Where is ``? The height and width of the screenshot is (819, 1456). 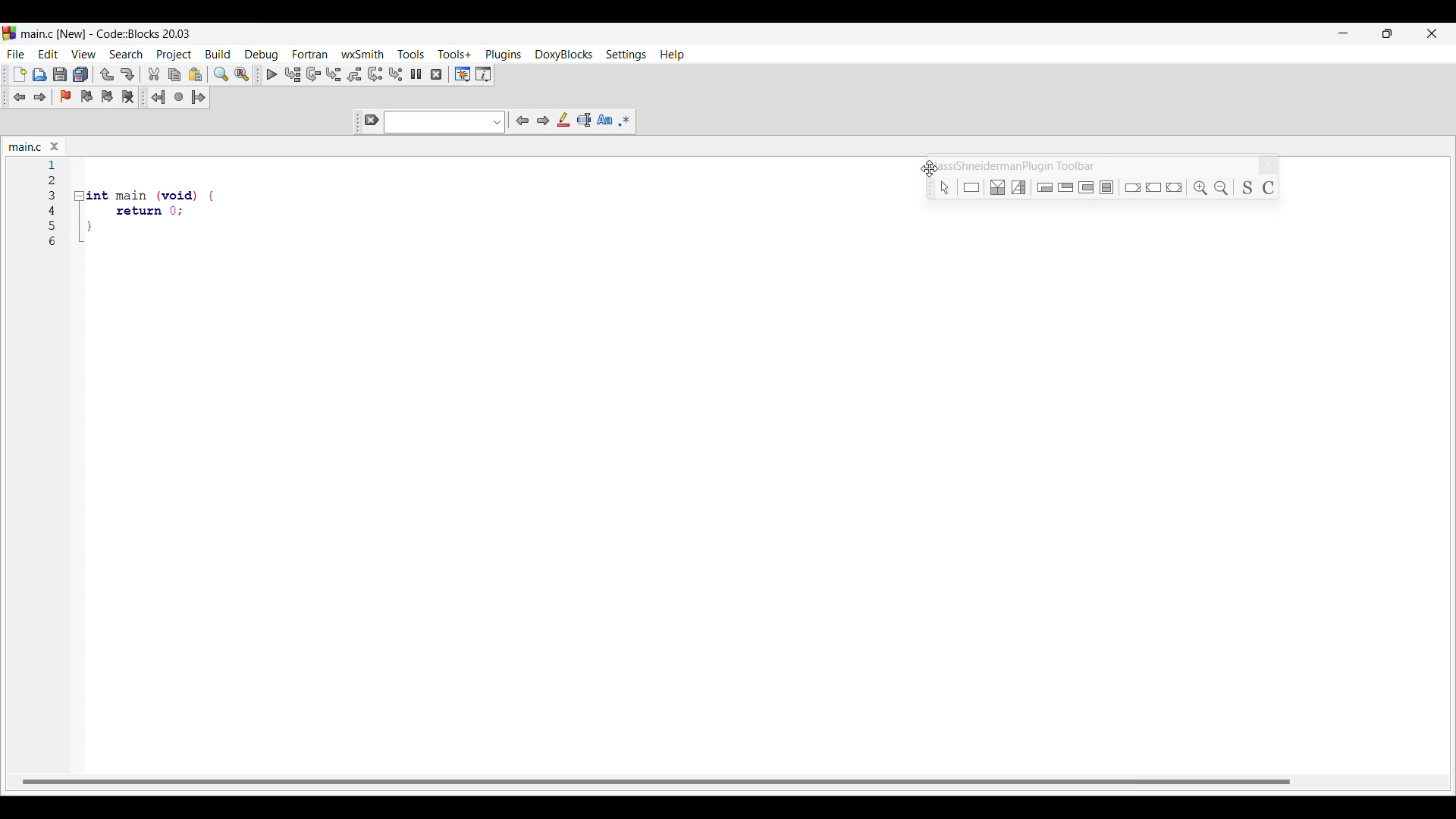  is located at coordinates (1177, 186).